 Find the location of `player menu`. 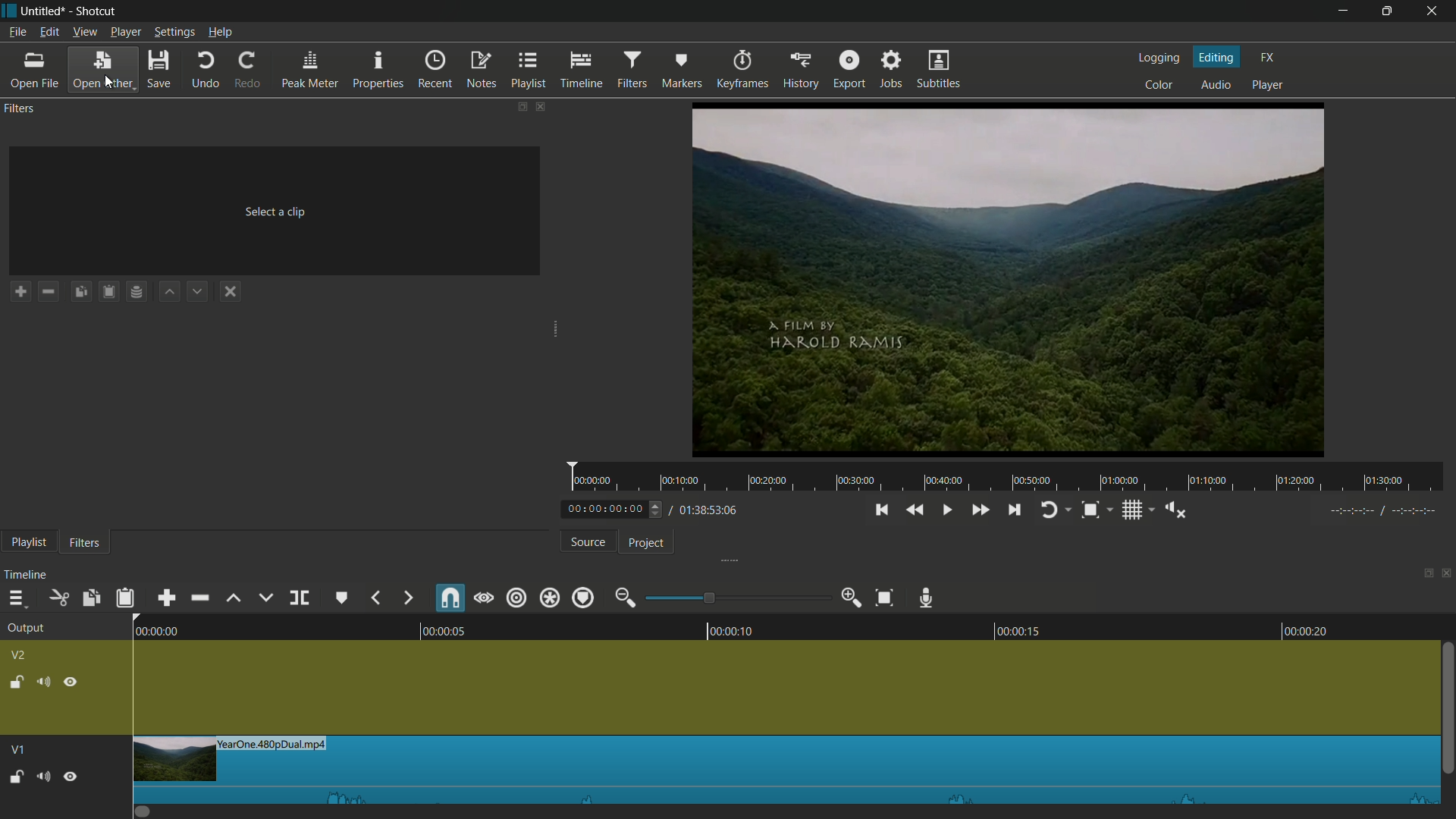

player menu is located at coordinates (126, 32).